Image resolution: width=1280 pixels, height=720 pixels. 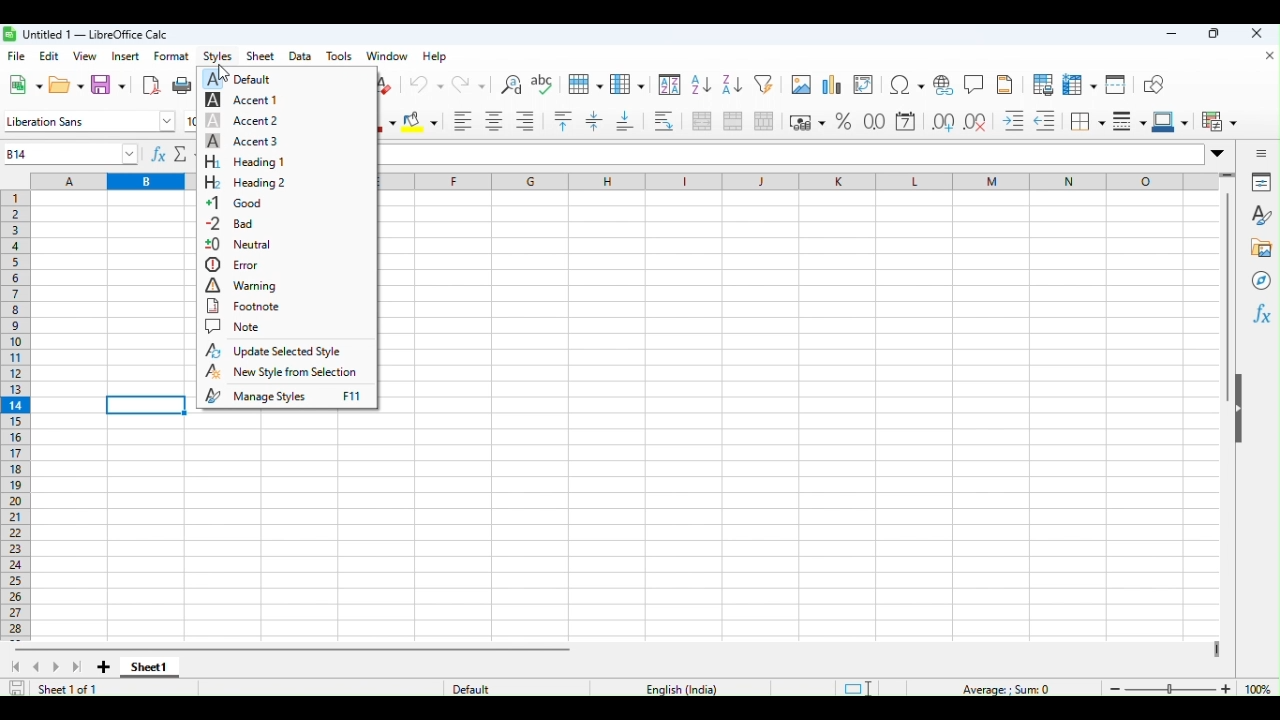 I want to click on Align, so click(x=523, y=122).